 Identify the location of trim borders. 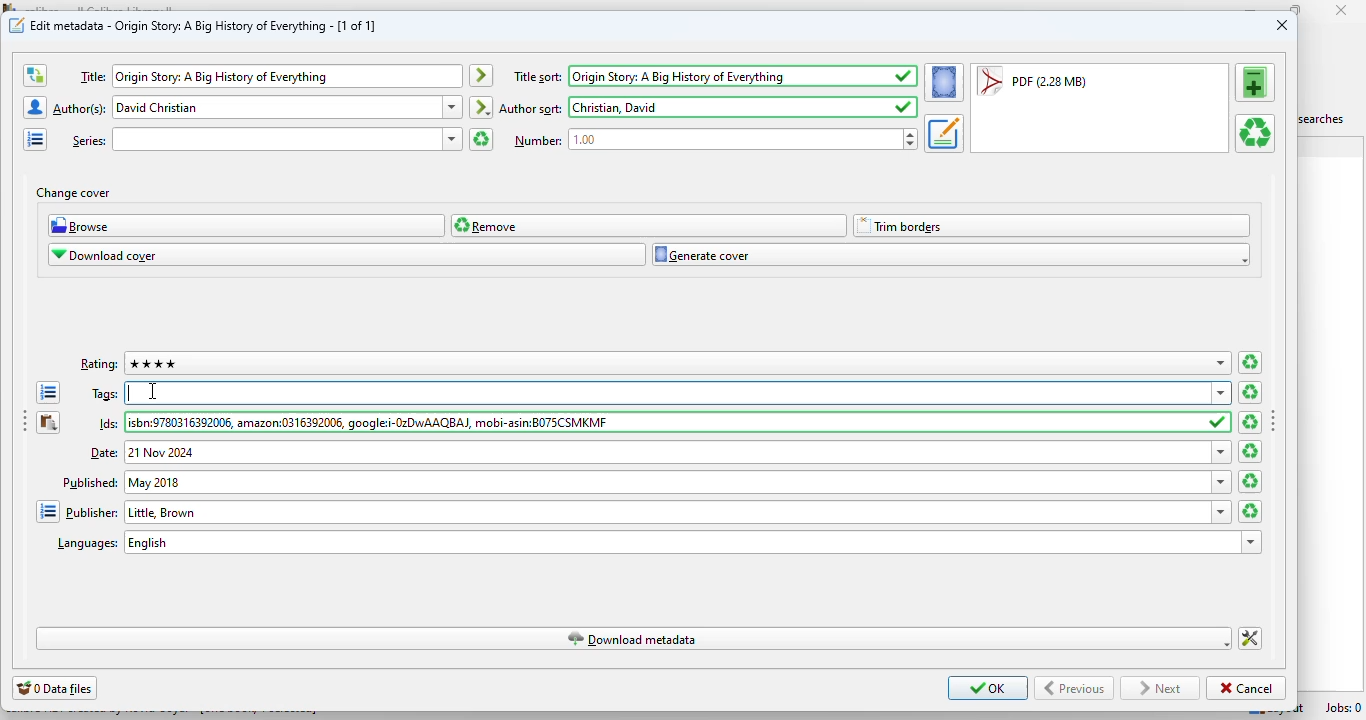
(1051, 226).